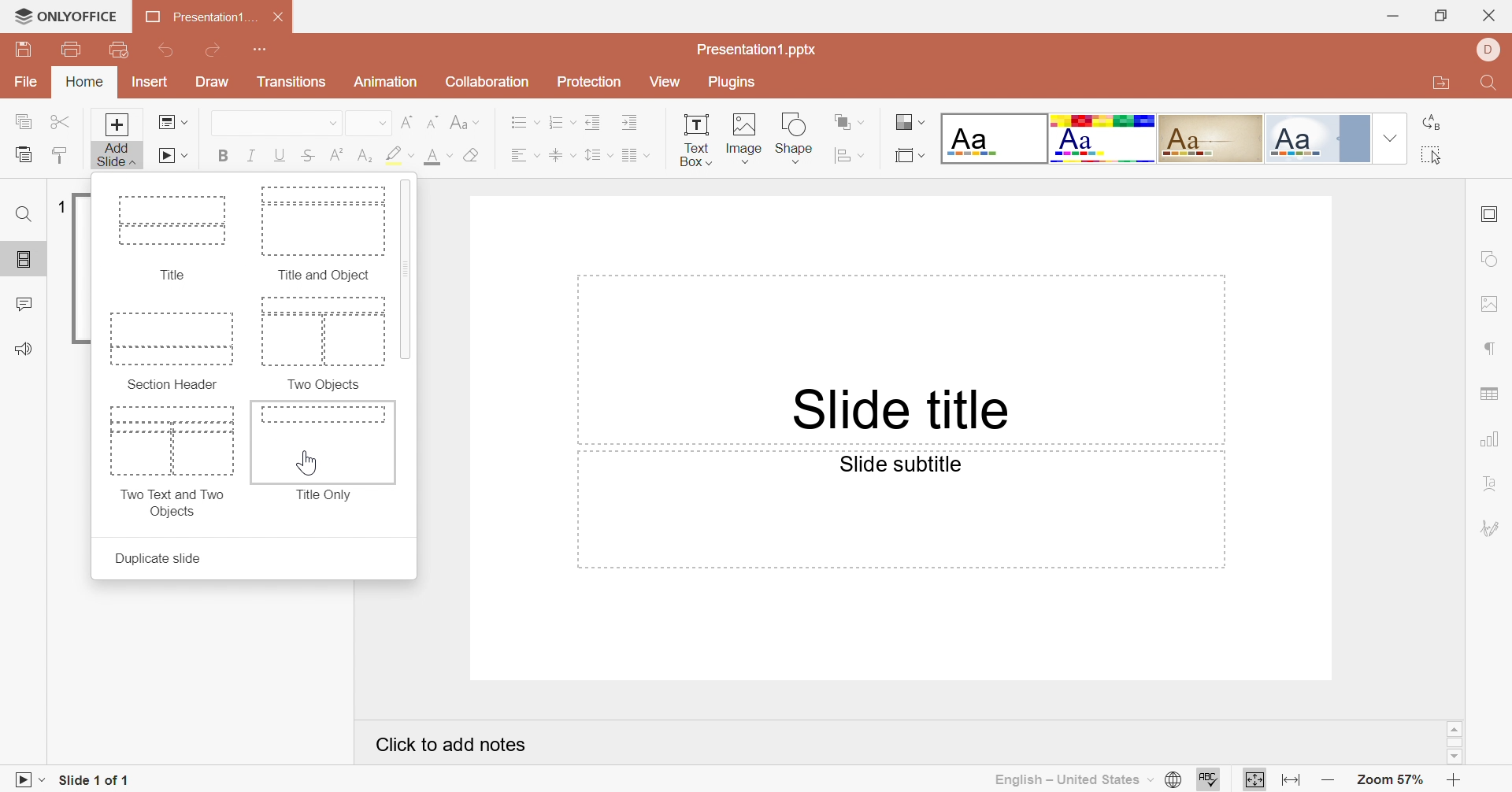 The width and height of the screenshot is (1512, 792). I want to click on Animation, so click(385, 80).